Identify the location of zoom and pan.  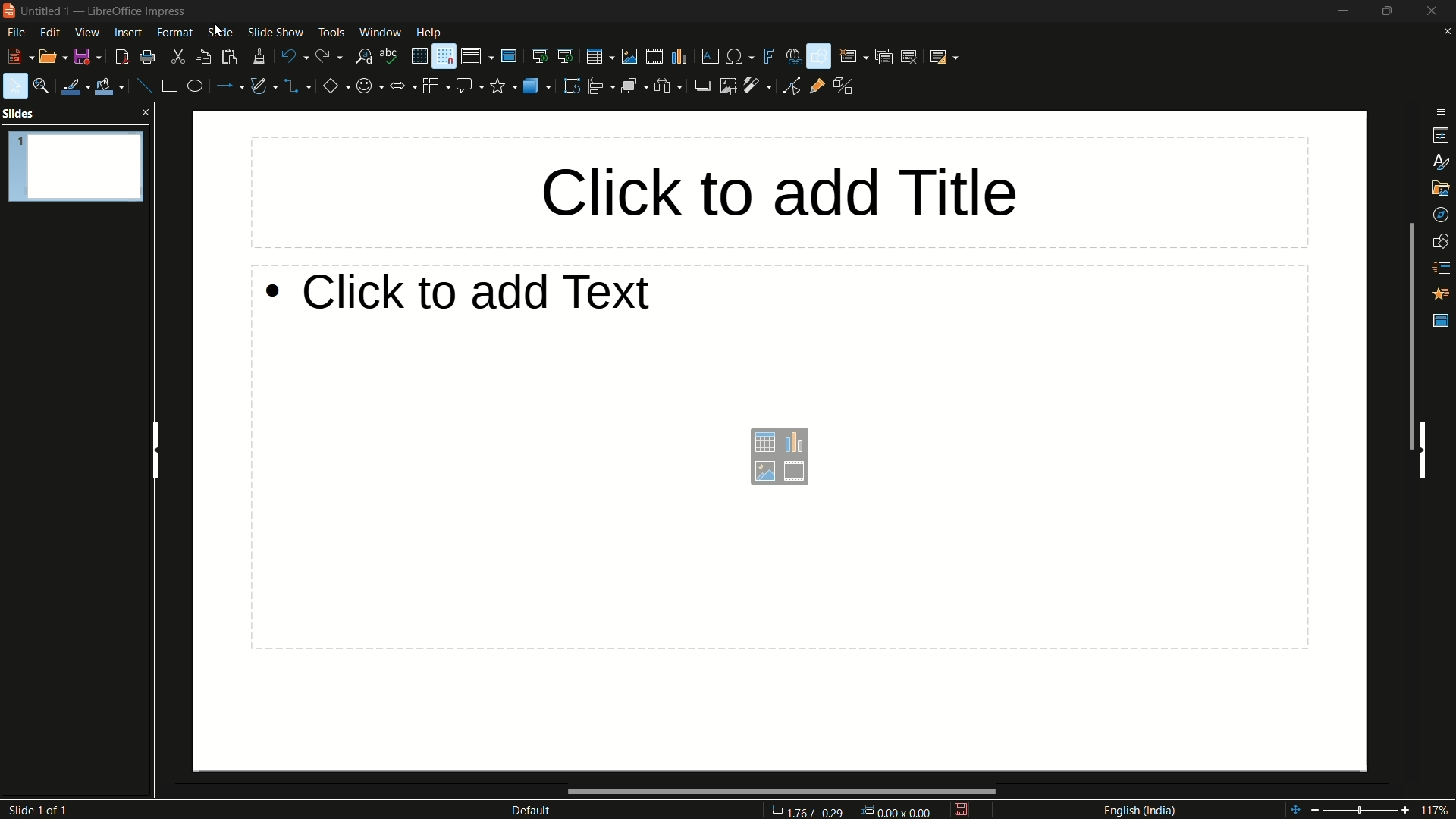
(42, 88).